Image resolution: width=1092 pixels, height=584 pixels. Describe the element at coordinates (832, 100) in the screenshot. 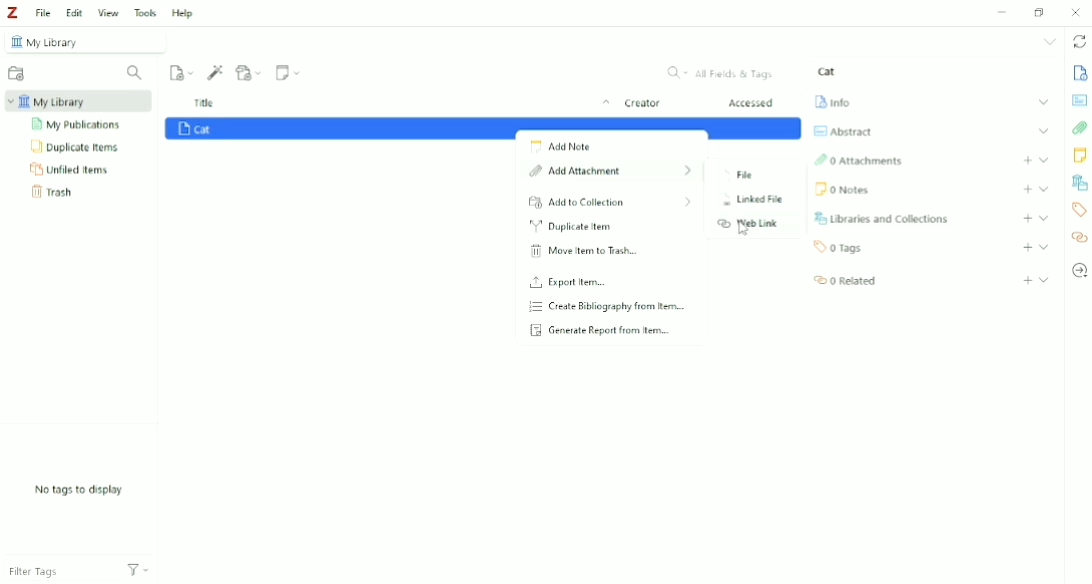

I see `Info` at that location.